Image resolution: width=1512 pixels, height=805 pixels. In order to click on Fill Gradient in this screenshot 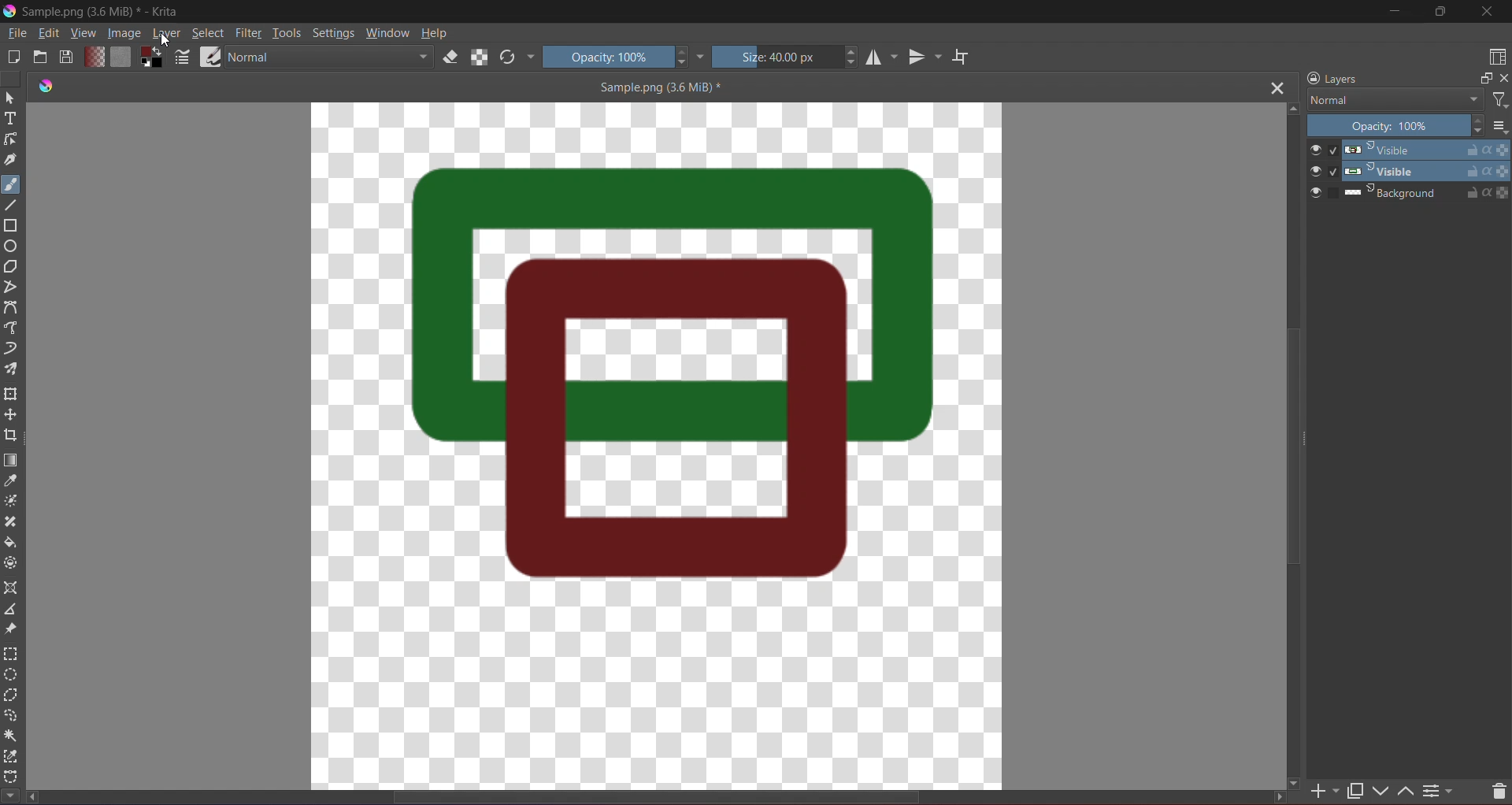, I will do `click(92, 56)`.